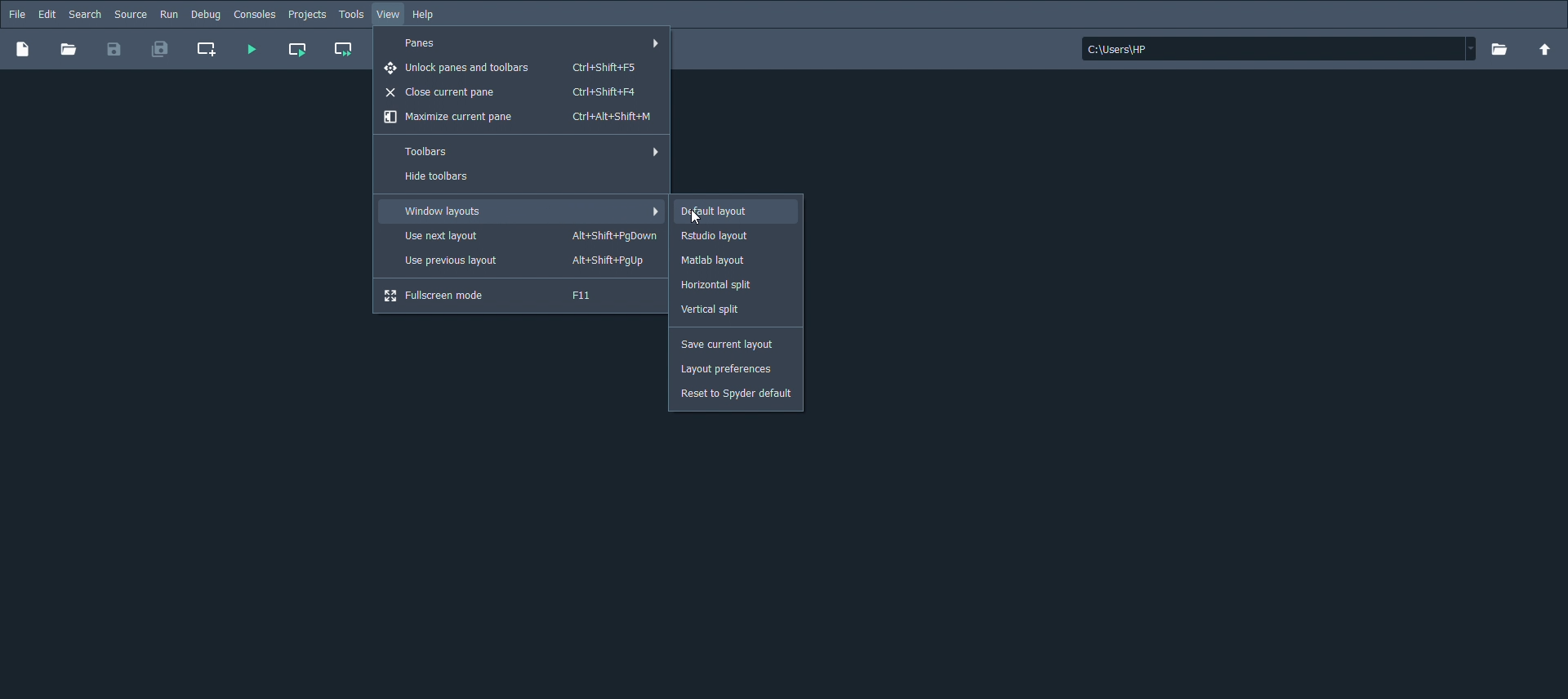  What do you see at coordinates (207, 49) in the screenshot?
I see `Create new cell at the current line` at bounding box center [207, 49].